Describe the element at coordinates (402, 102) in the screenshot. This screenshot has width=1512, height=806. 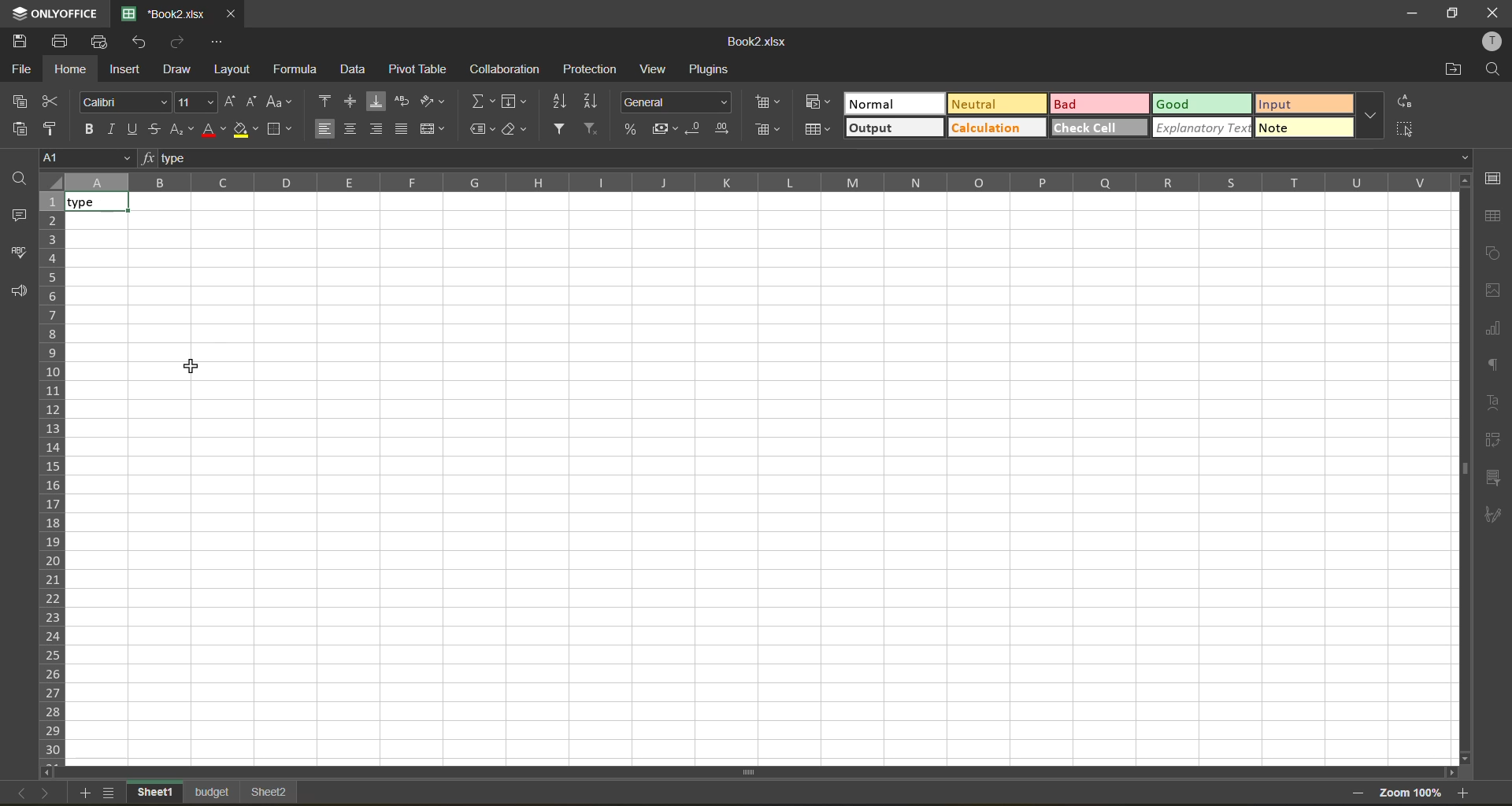
I see `wrap text` at that location.